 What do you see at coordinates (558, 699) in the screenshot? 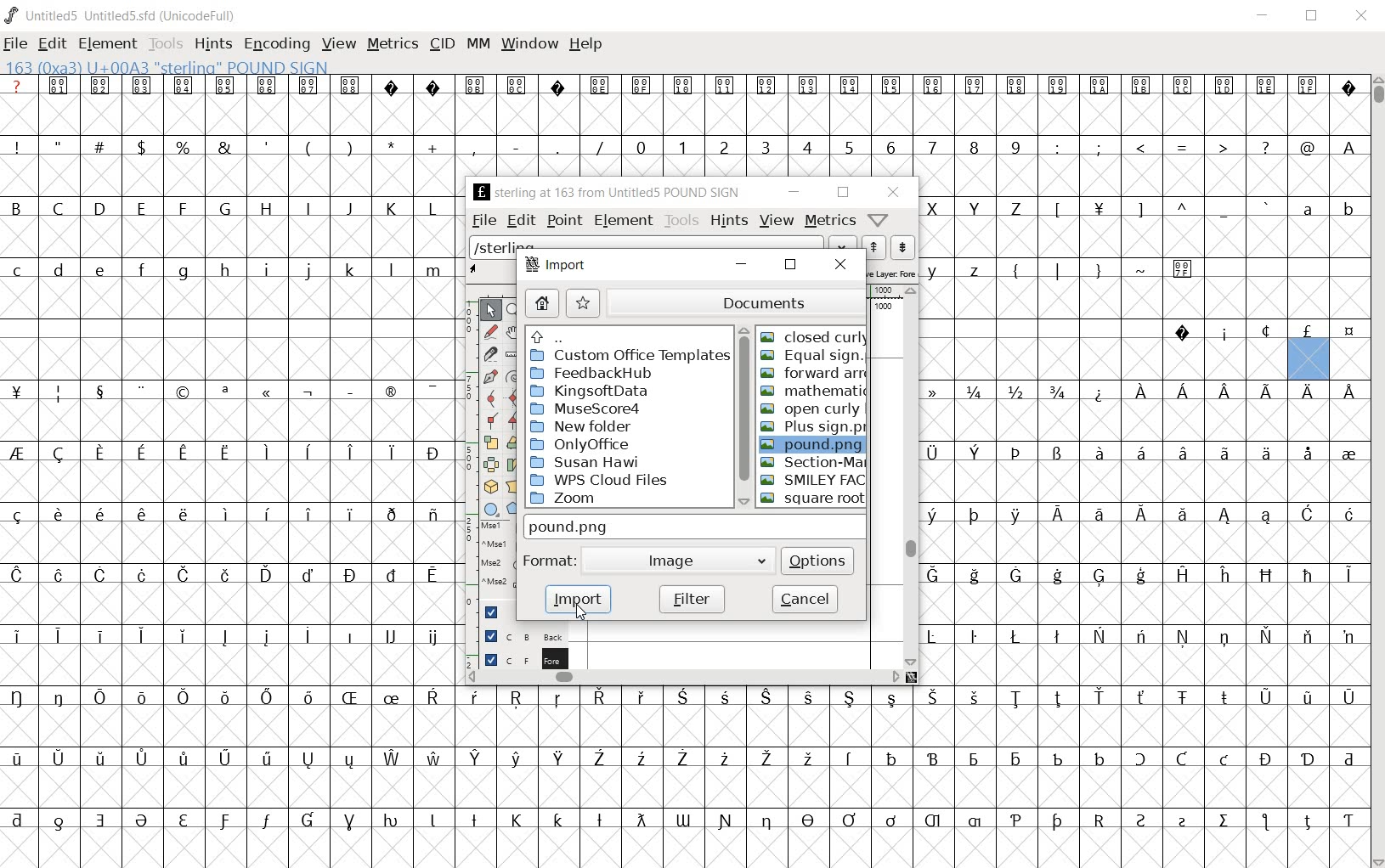
I see `Symbol` at bounding box center [558, 699].